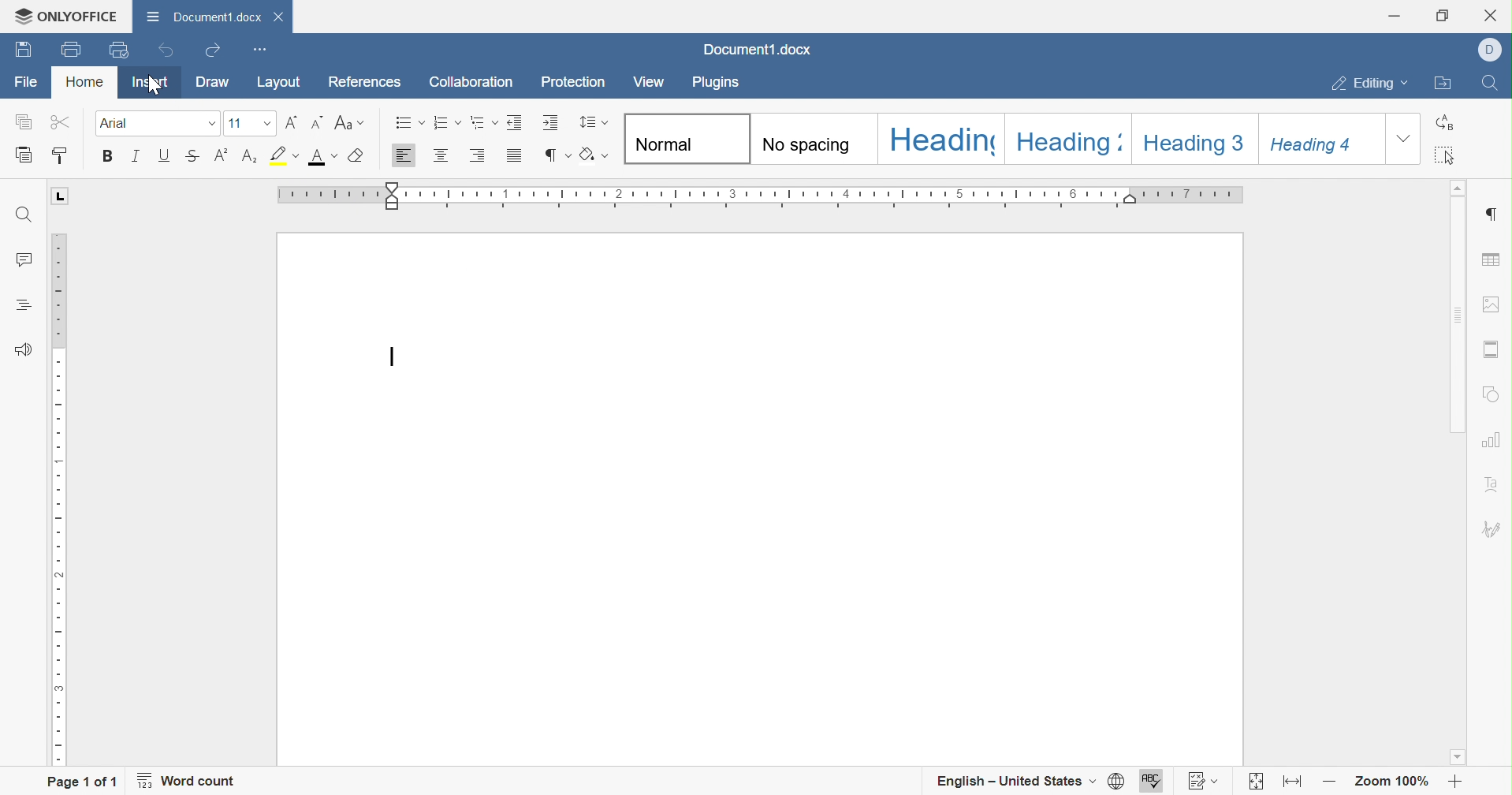 The width and height of the screenshot is (1512, 795). Describe the element at coordinates (484, 123) in the screenshot. I see `Multilevel list` at that location.